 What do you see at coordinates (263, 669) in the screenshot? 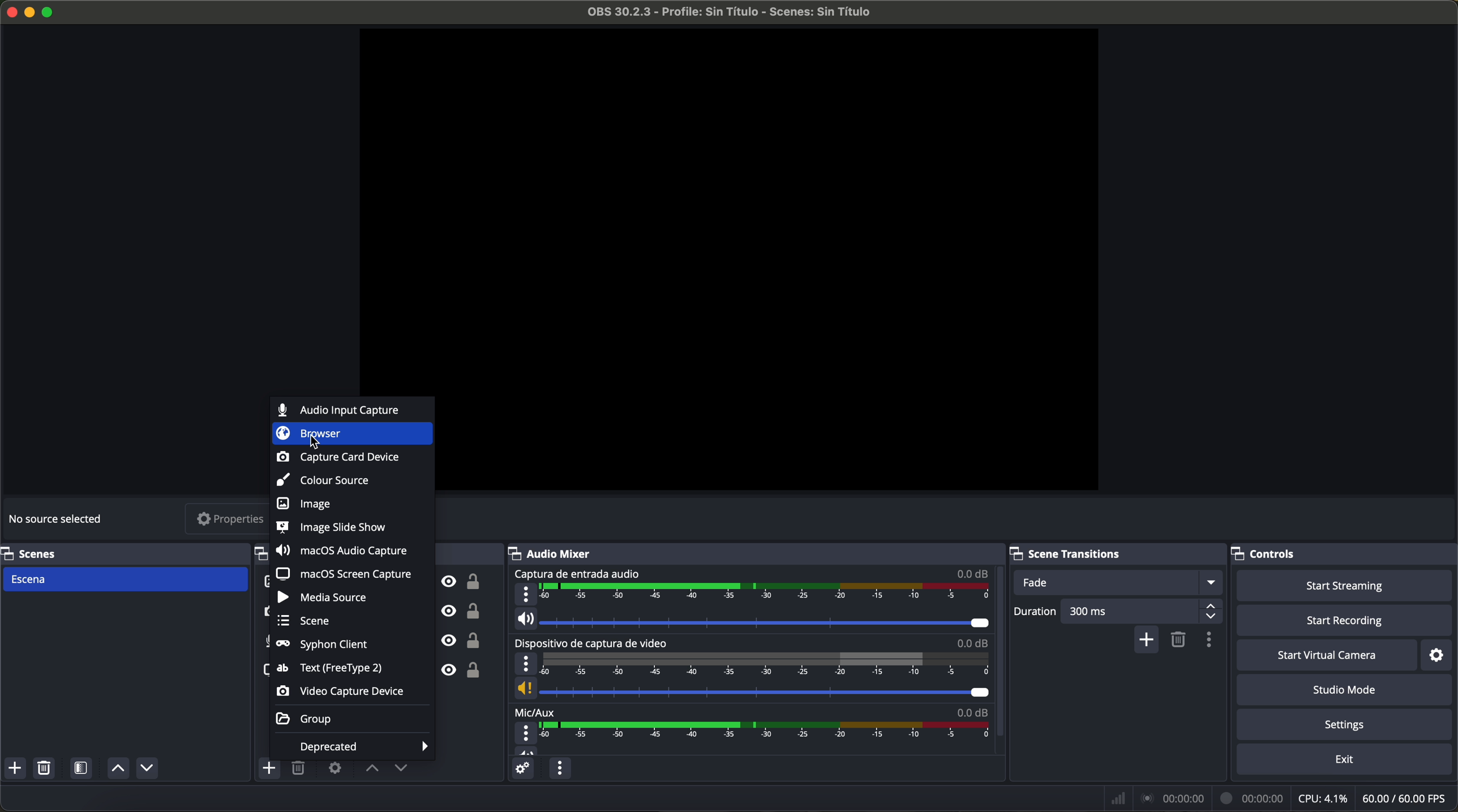
I see `screenshot` at bounding box center [263, 669].